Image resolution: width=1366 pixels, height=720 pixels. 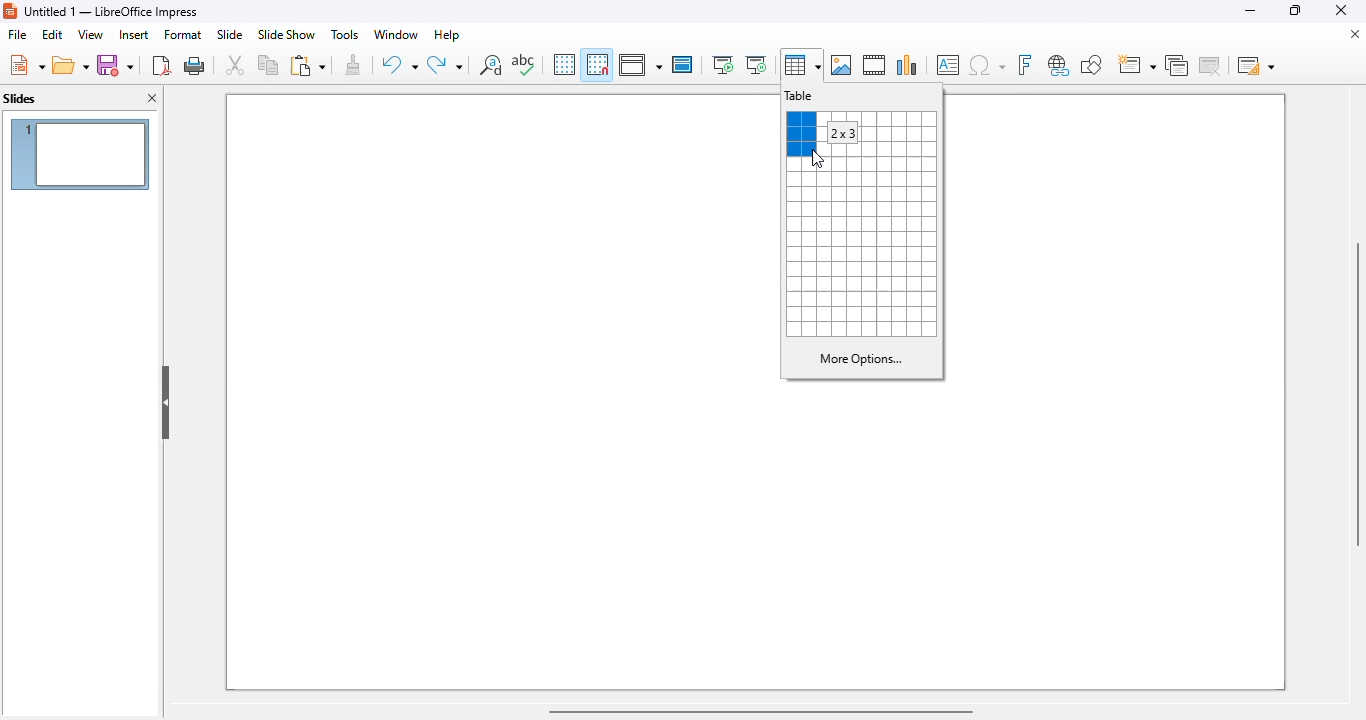 What do you see at coordinates (1176, 65) in the screenshot?
I see `duplicate slide` at bounding box center [1176, 65].